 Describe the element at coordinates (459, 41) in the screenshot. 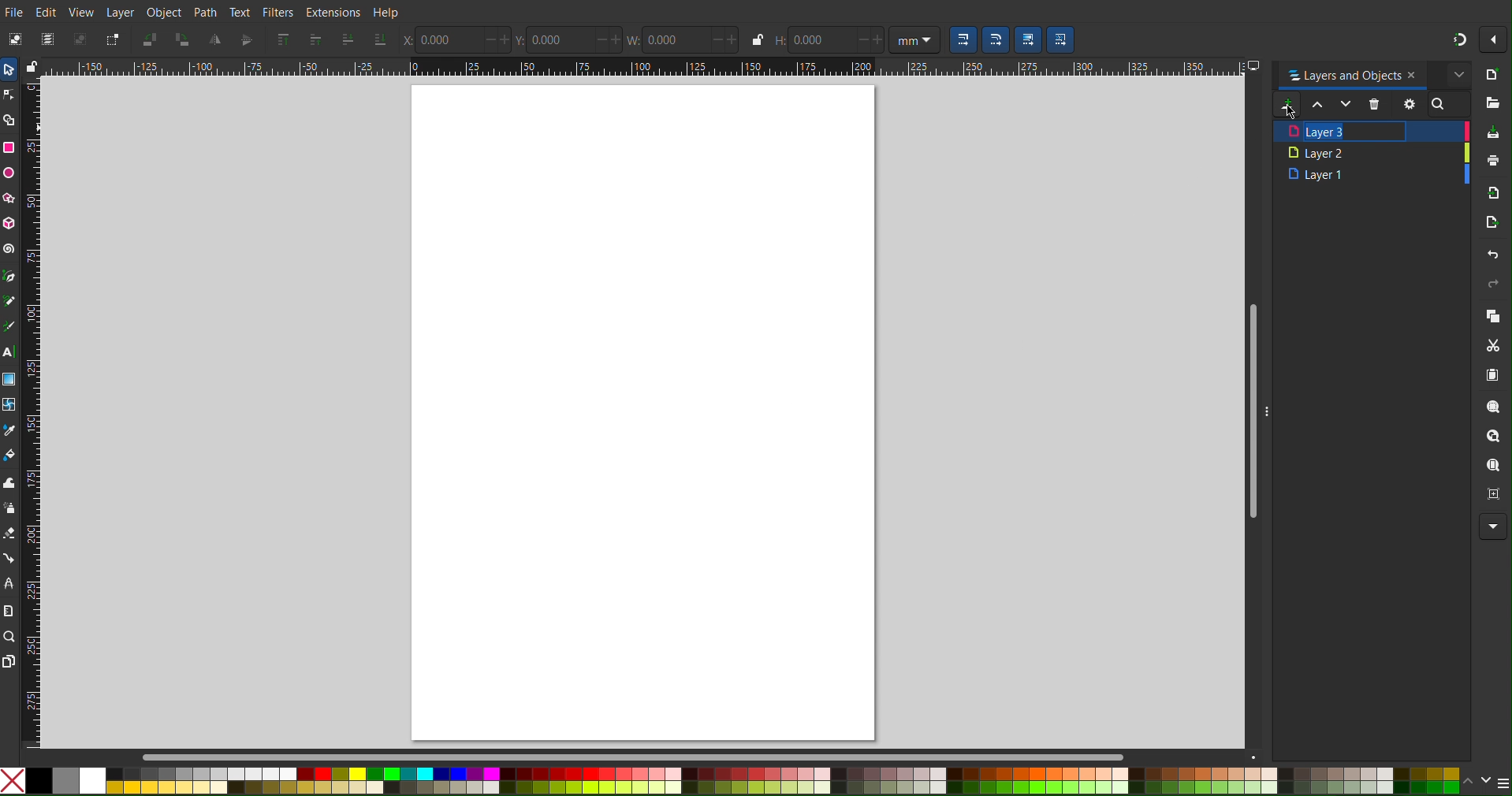

I see `X Coords` at that location.